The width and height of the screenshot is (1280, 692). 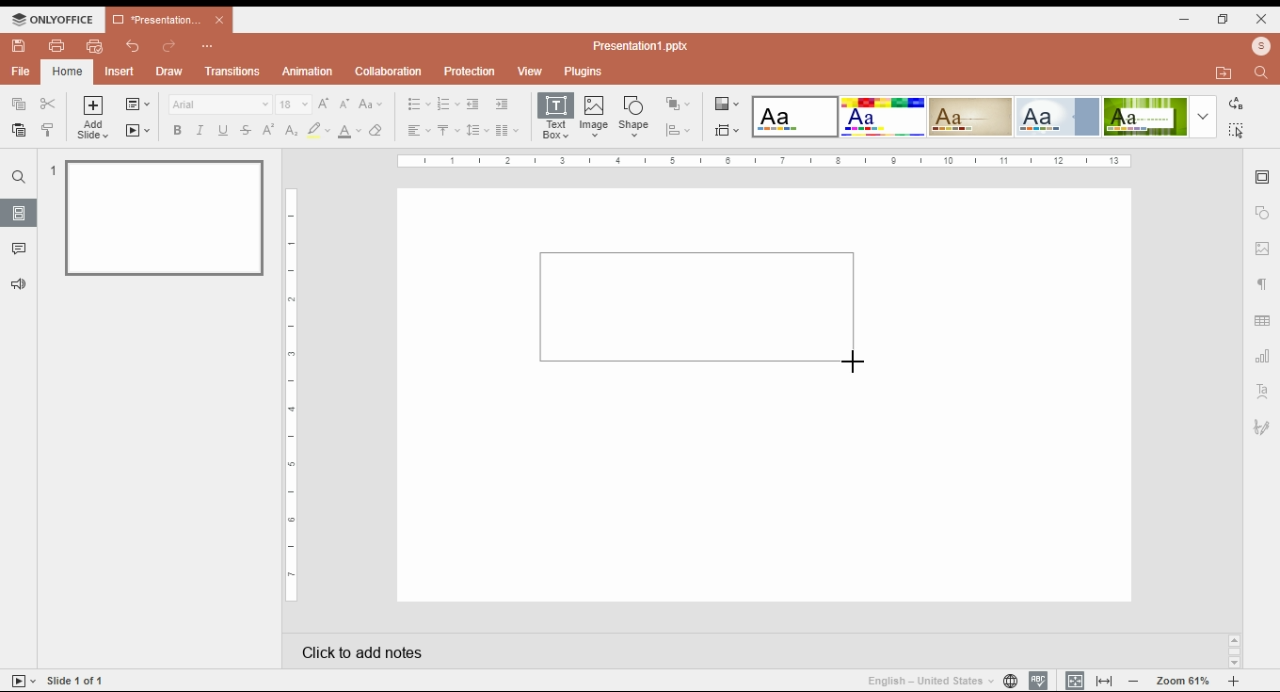 I want to click on strikethrough, so click(x=246, y=131).